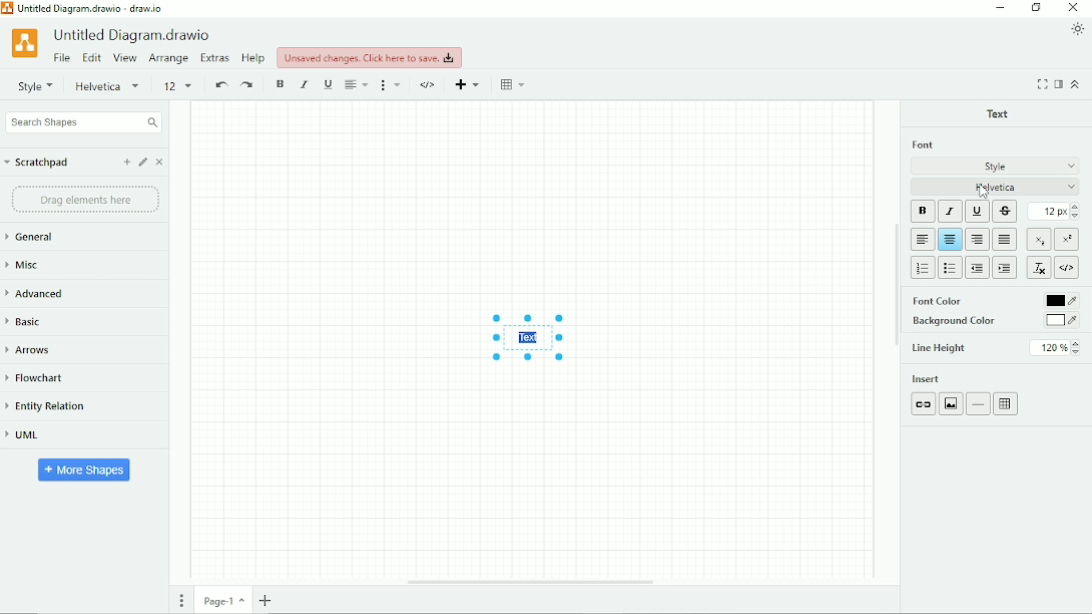 Image resolution: width=1092 pixels, height=614 pixels. What do you see at coordinates (357, 85) in the screenshot?
I see `Align` at bounding box center [357, 85].